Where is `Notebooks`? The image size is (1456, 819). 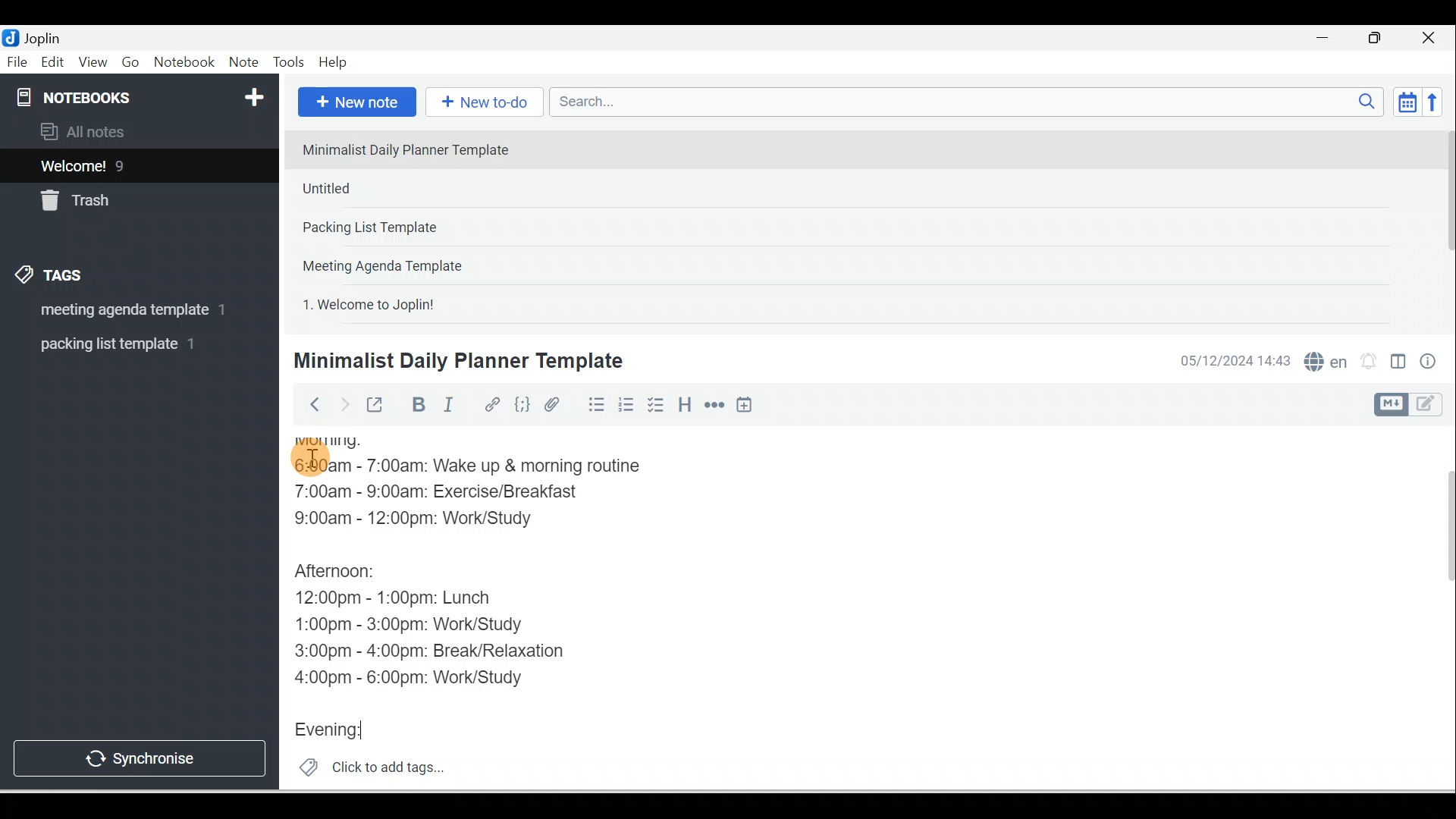 Notebooks is located at coordinates (143, 94).